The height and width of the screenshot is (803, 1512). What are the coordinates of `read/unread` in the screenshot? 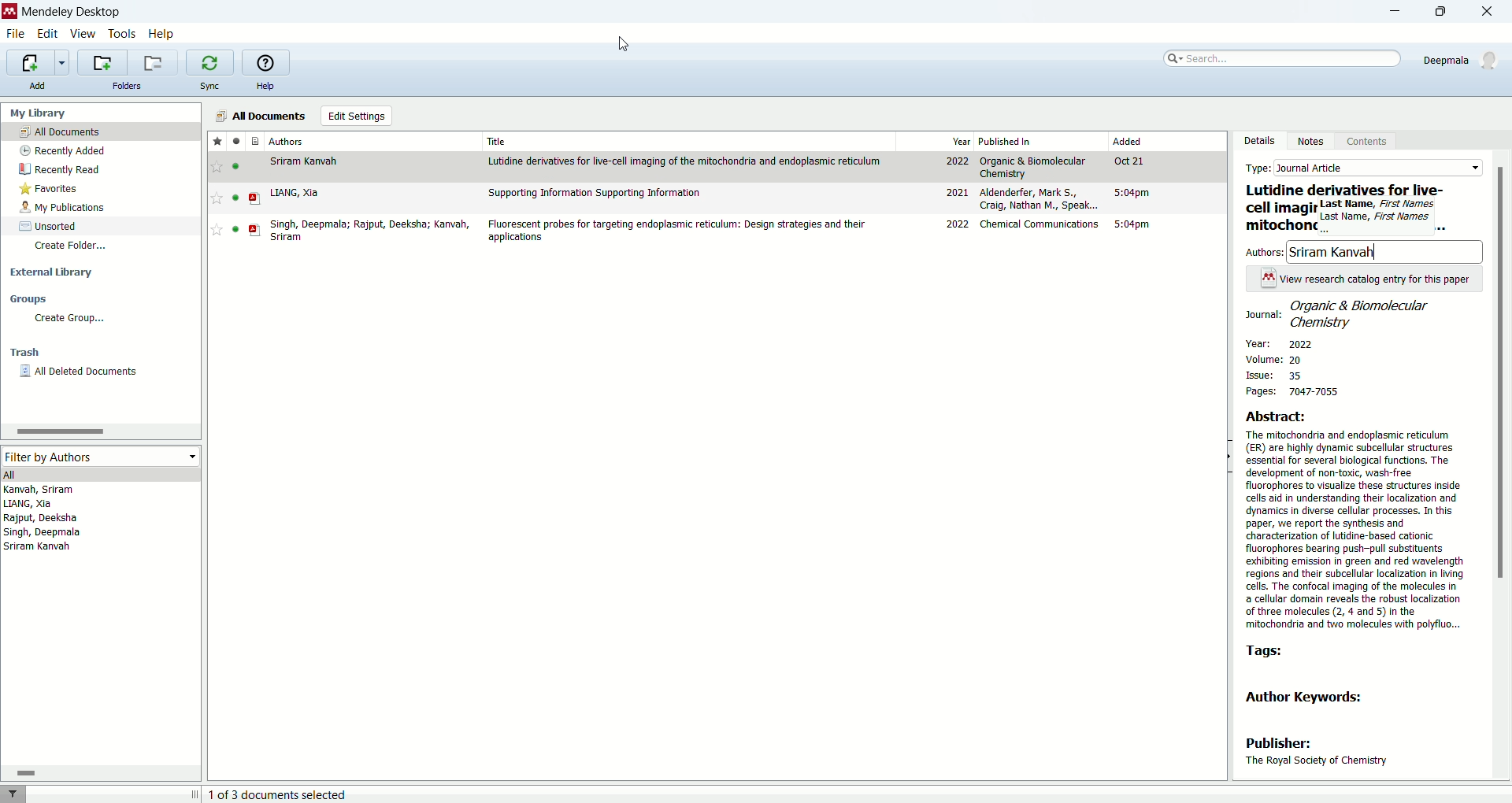 It's located at (232, 231).